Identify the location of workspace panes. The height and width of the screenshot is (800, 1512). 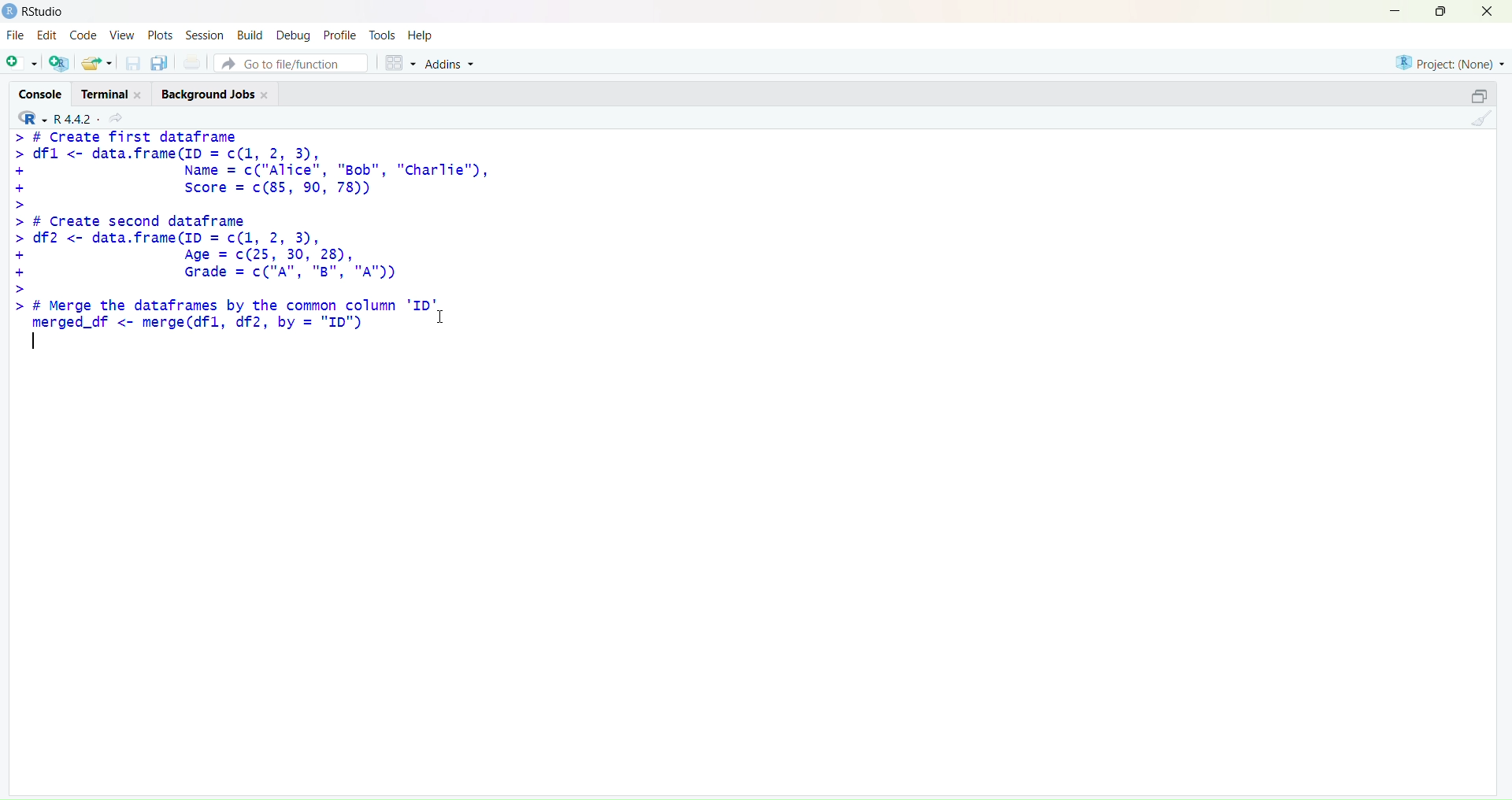
(400, 62).